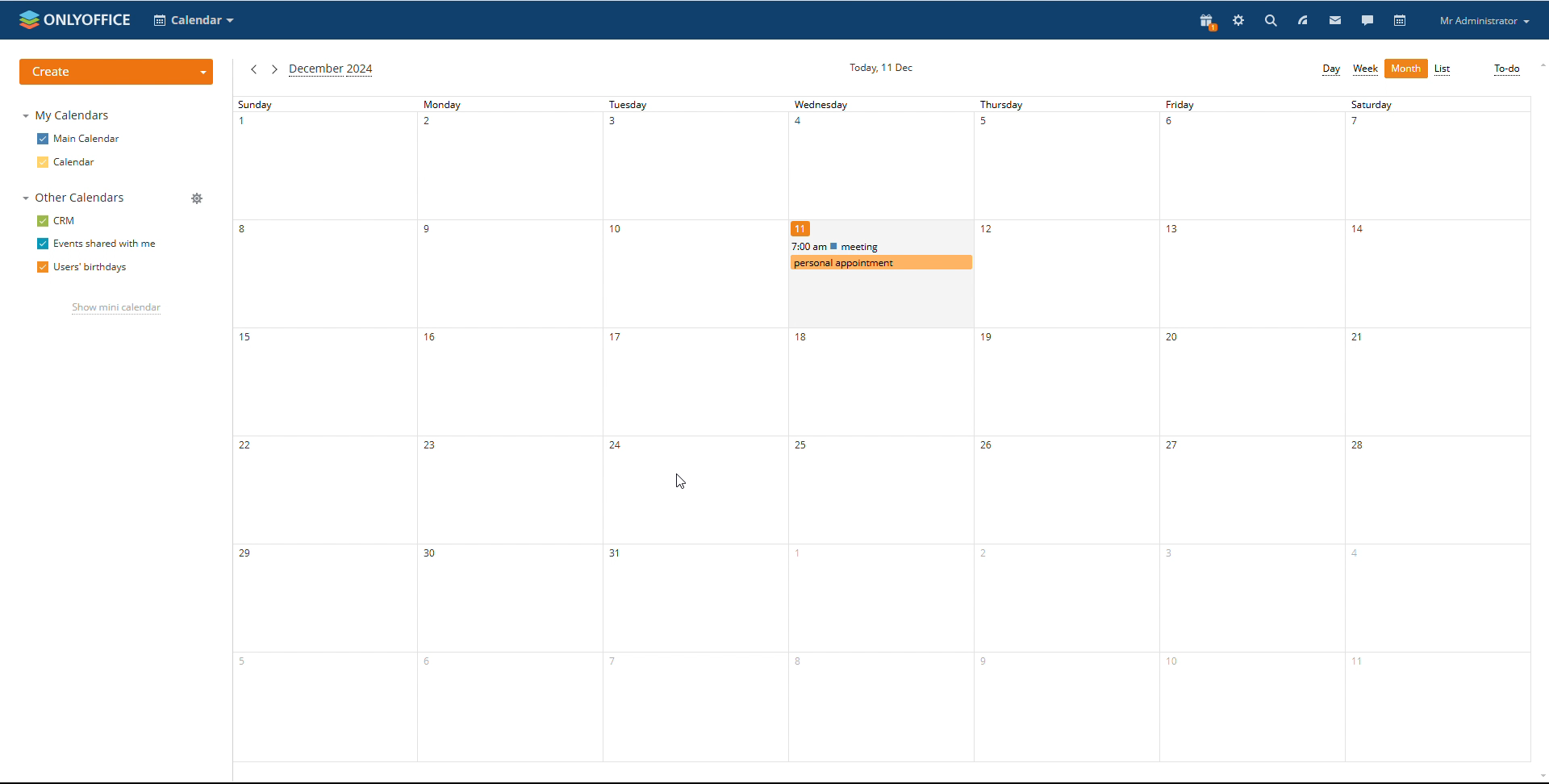 Image resolution: width=1549 pixels, height=784 pixels. Describe the element at coordinates (69, 115) in the screenshot. I see `my calendars` at that location.